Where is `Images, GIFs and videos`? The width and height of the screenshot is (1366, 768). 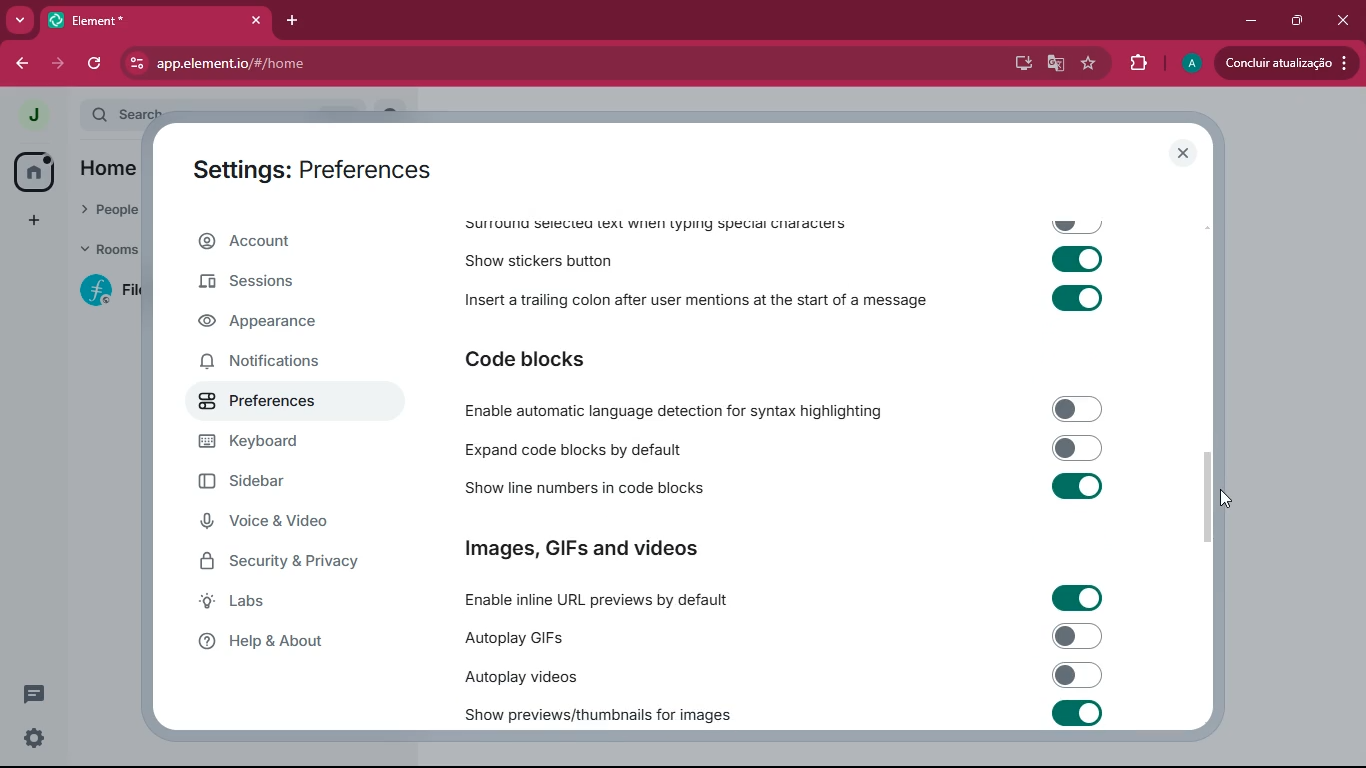
Images, GIFs and videos is located at coordinates (591, 549).